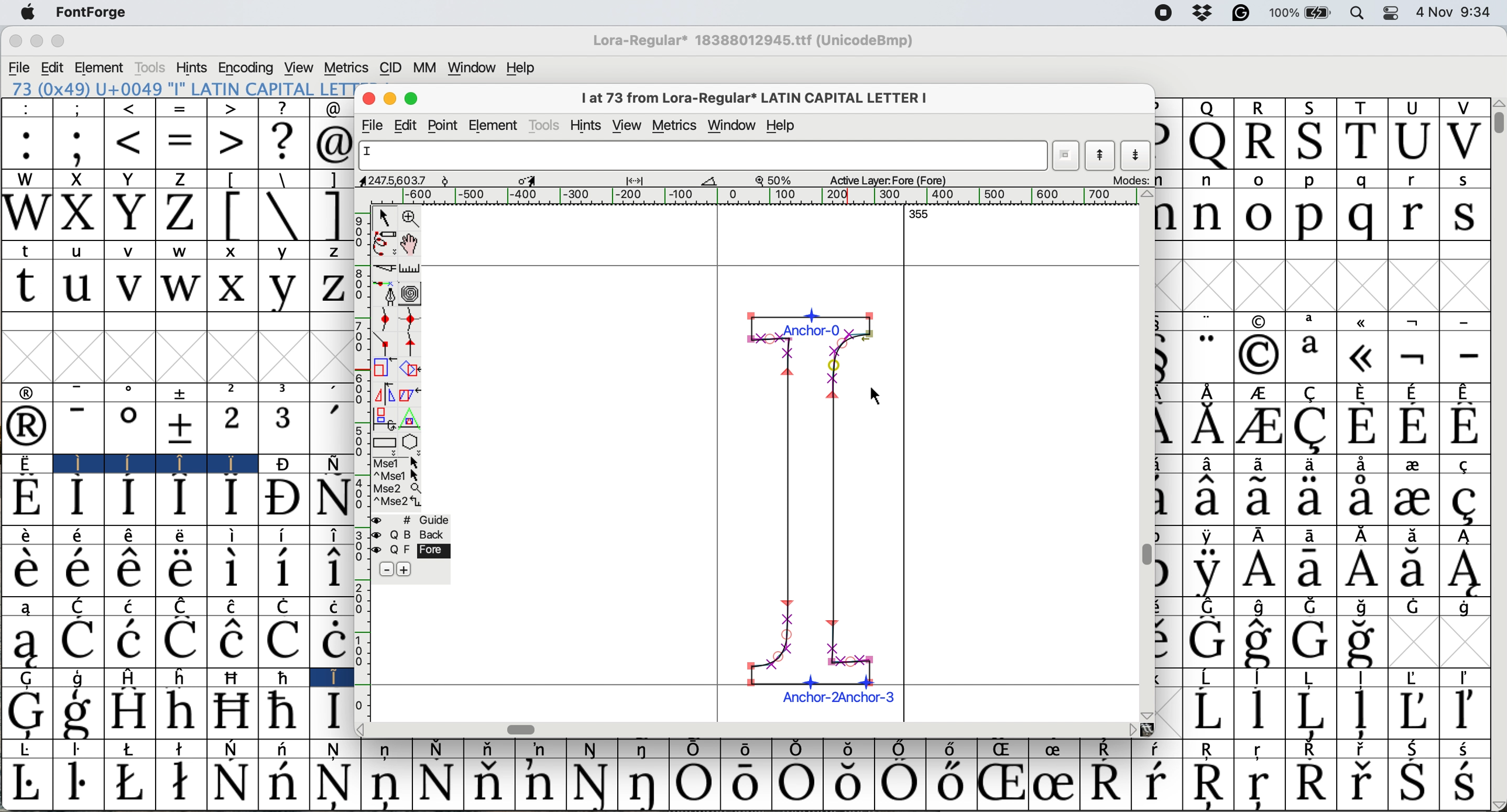 Image resolution: width=1507 pixels, height=812 pixels. I want to click on , so click(1498, 102).